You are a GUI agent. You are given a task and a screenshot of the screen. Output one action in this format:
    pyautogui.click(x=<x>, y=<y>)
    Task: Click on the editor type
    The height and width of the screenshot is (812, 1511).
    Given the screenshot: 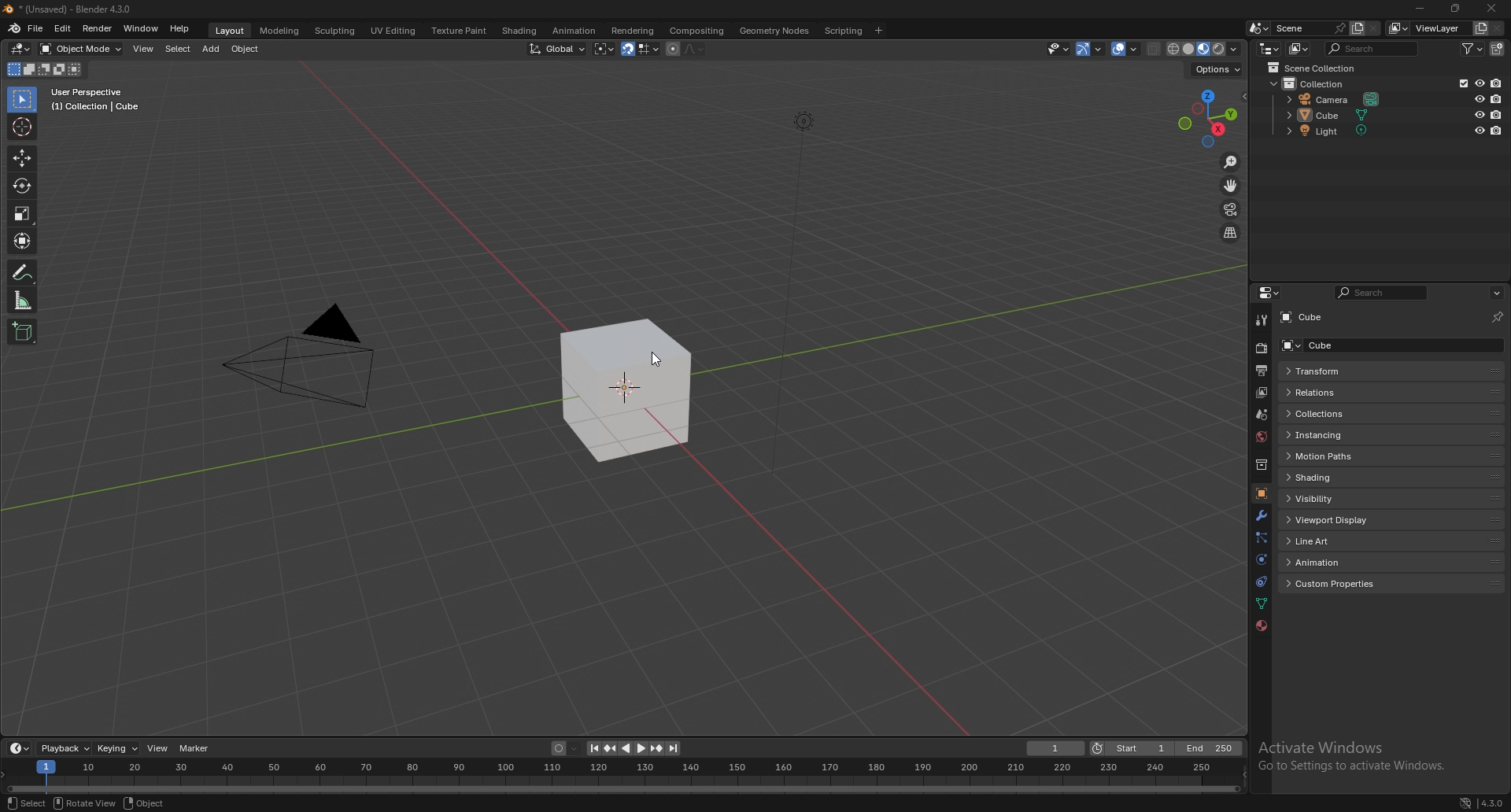 What is the action you would take?
    pyautogui.click(x=1269, y=48)
    